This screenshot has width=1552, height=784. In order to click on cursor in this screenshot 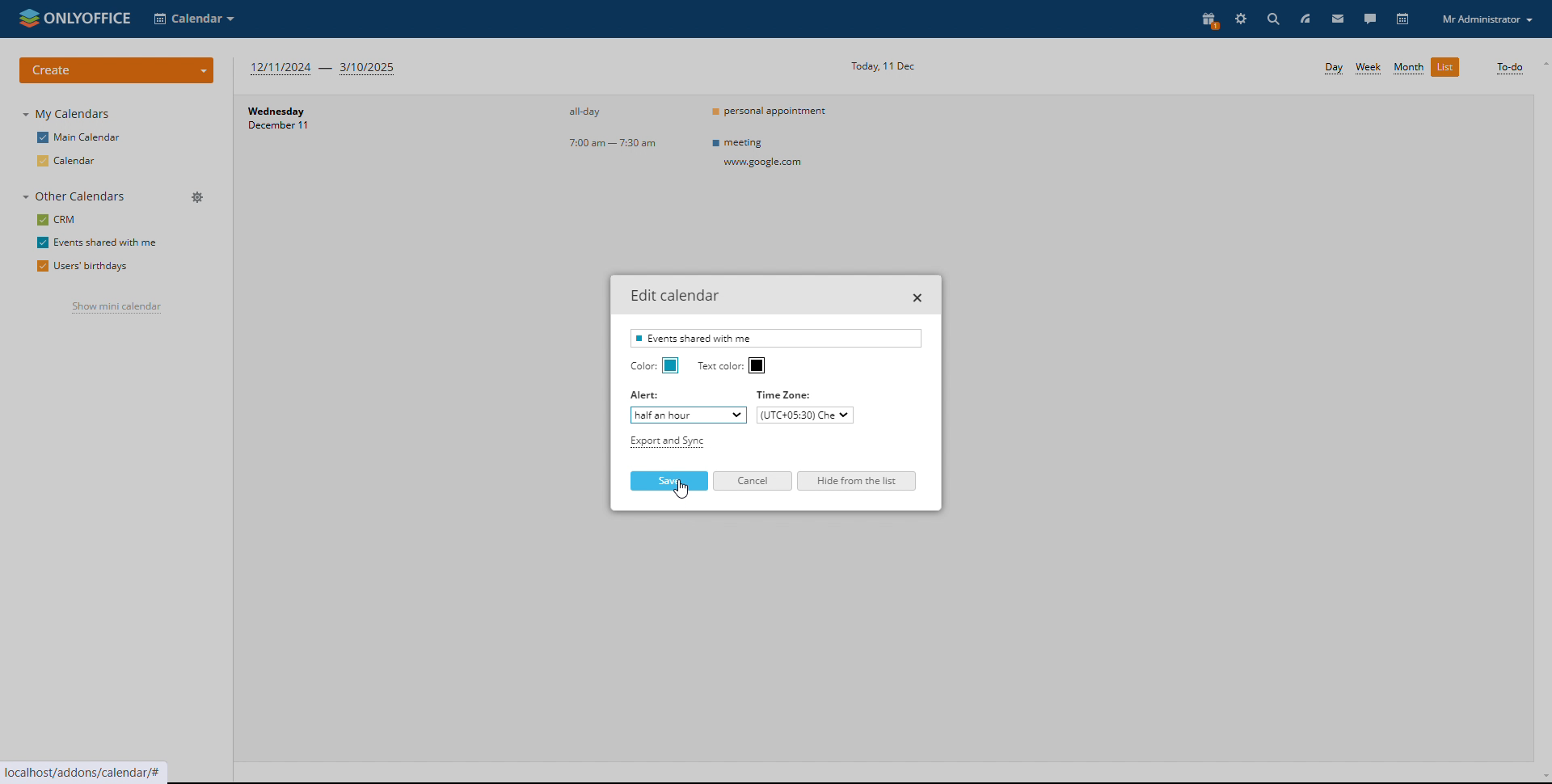, I will do `click(682, 488)`.